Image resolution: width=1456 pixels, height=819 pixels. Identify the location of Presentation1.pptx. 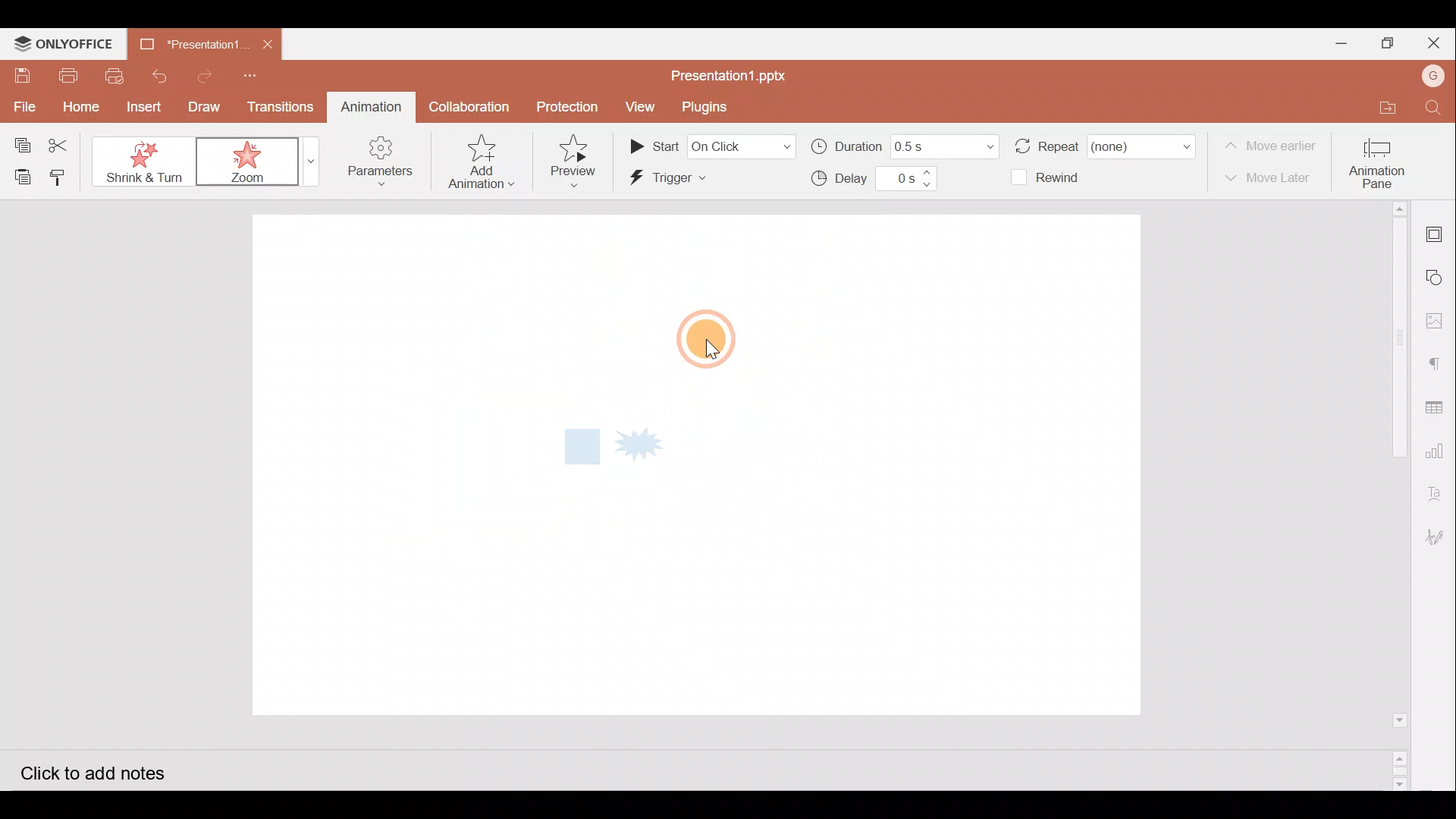
(728, 73).